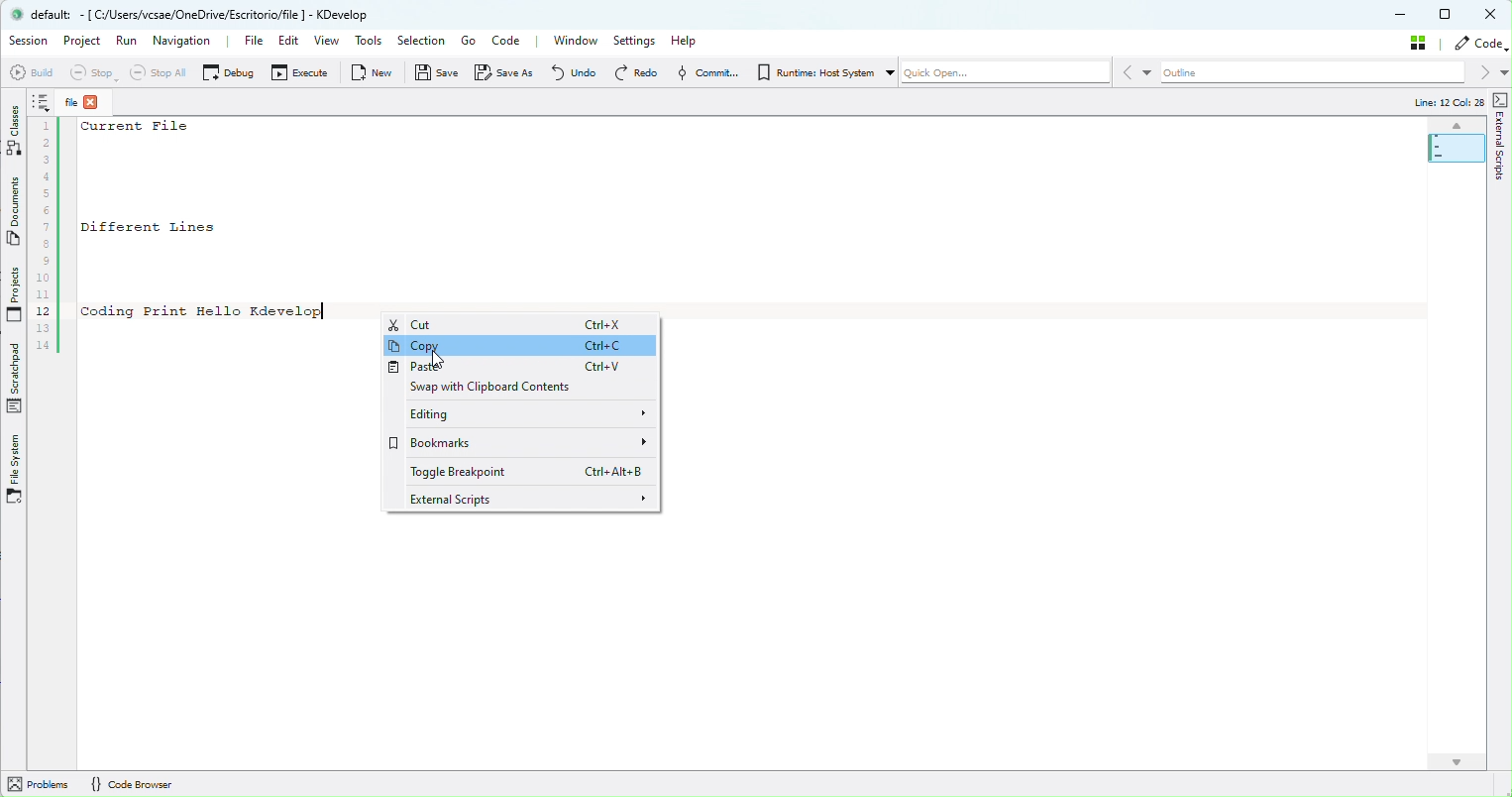 The image size is (1512, 797). What do you see at coordinates (504, 74) in the screenshot?
I see `Save as` at bounding box center [504, 74].